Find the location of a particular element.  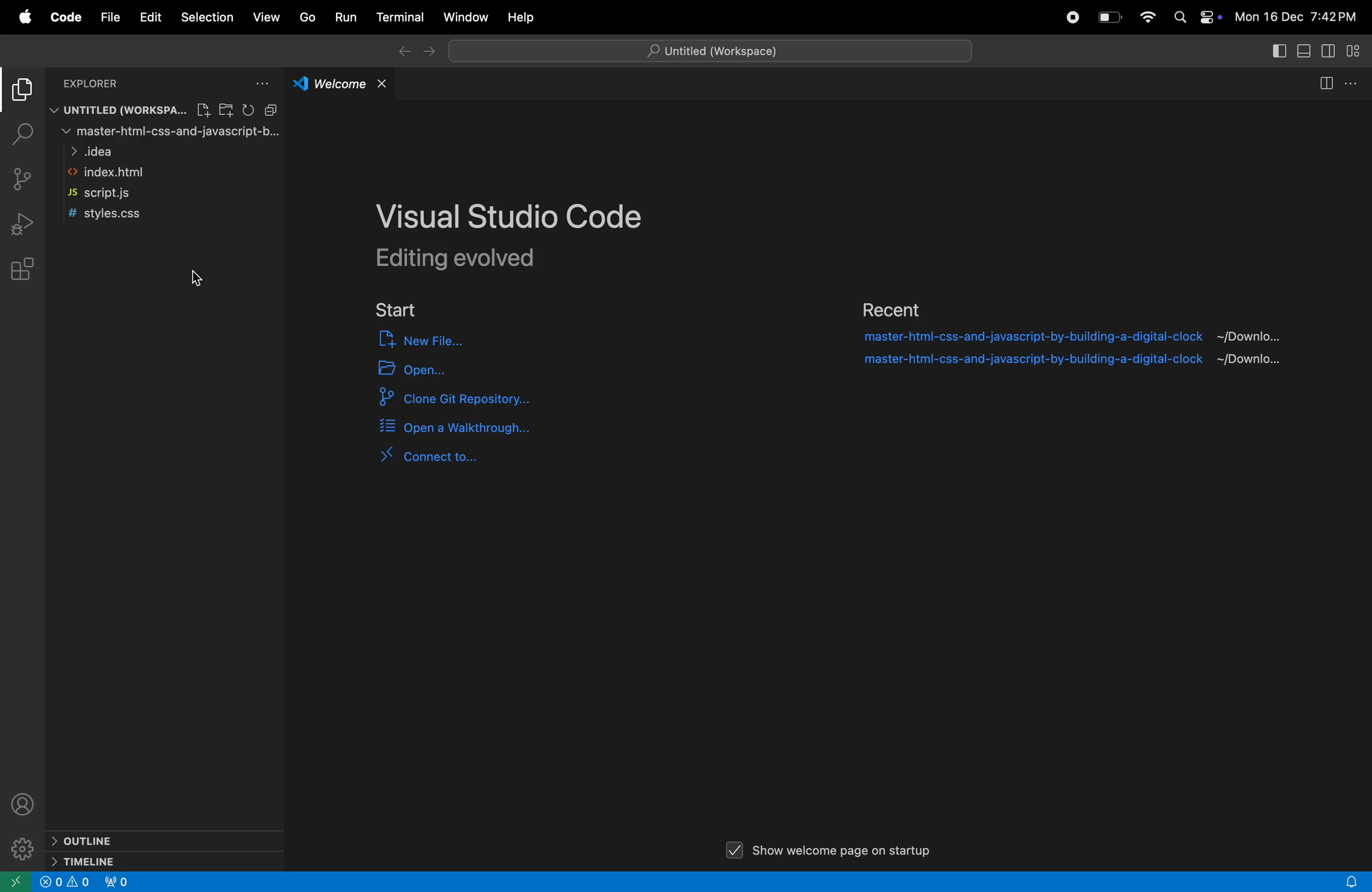

open is located at coordinates (434, 368).